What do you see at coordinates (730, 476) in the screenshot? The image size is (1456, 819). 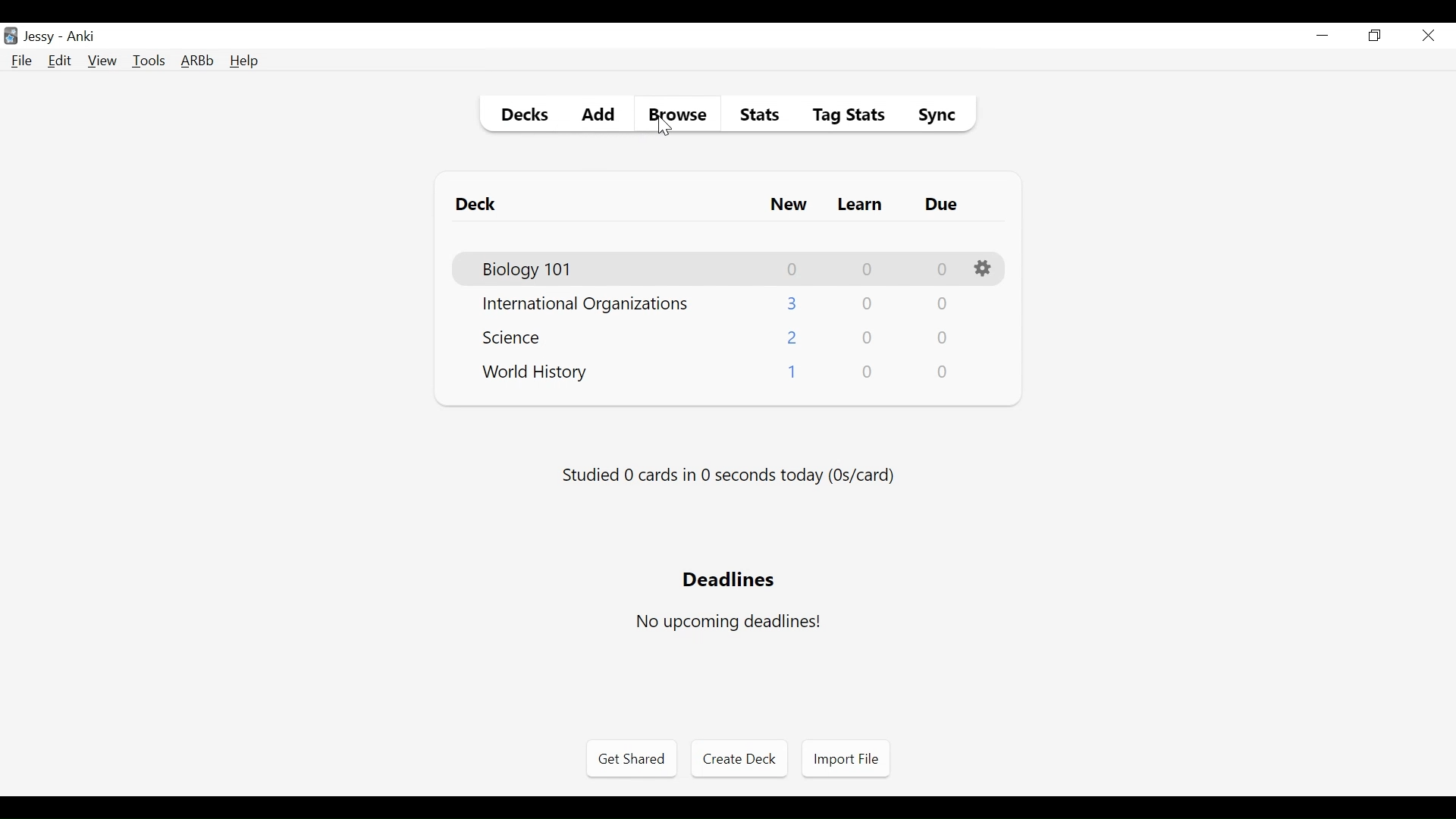 I see `Studied number of cards in second today (os/card)` at bounding box center [730, 476].